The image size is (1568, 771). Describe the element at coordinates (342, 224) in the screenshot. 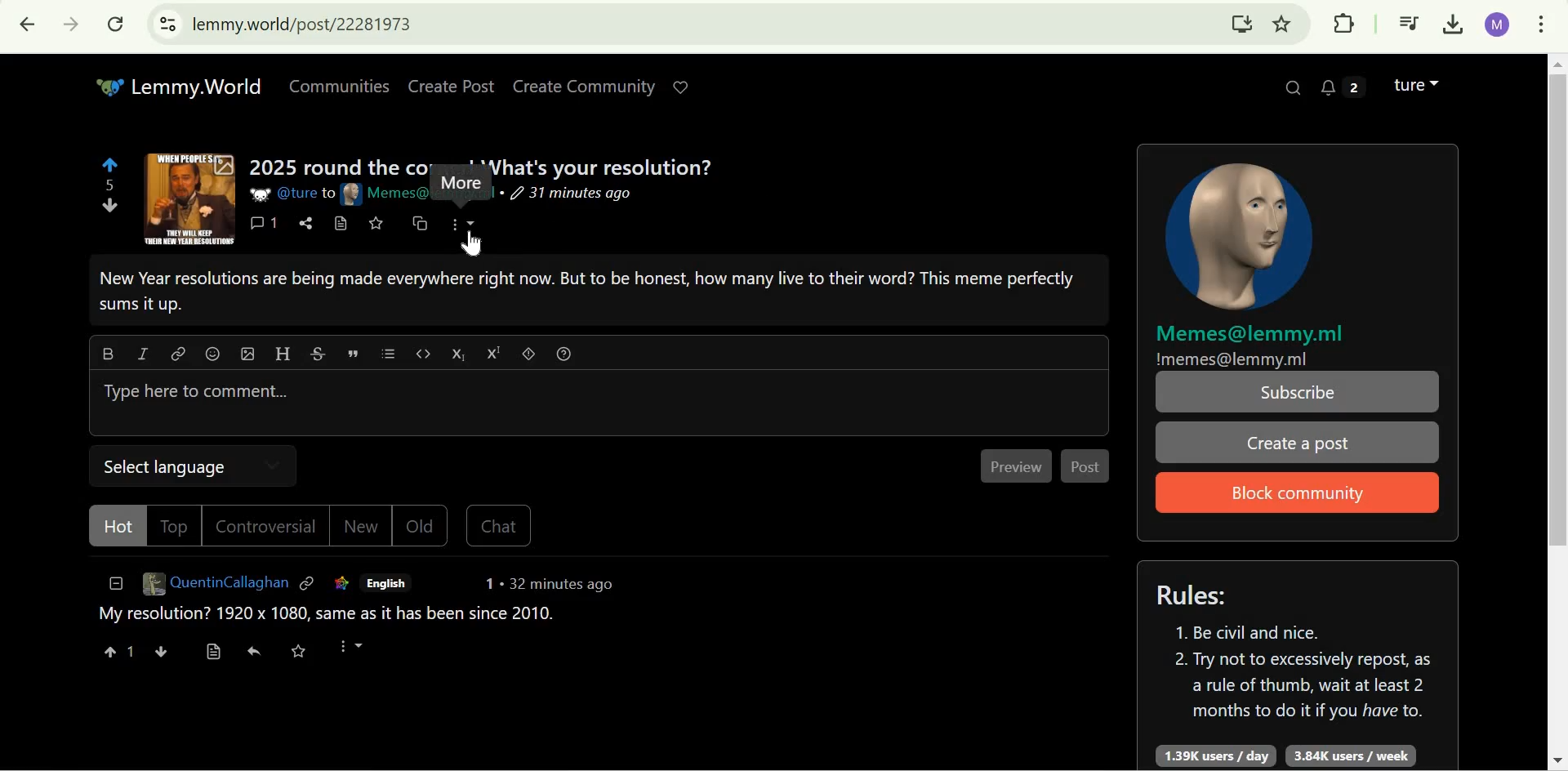

I see `view source` at that location.